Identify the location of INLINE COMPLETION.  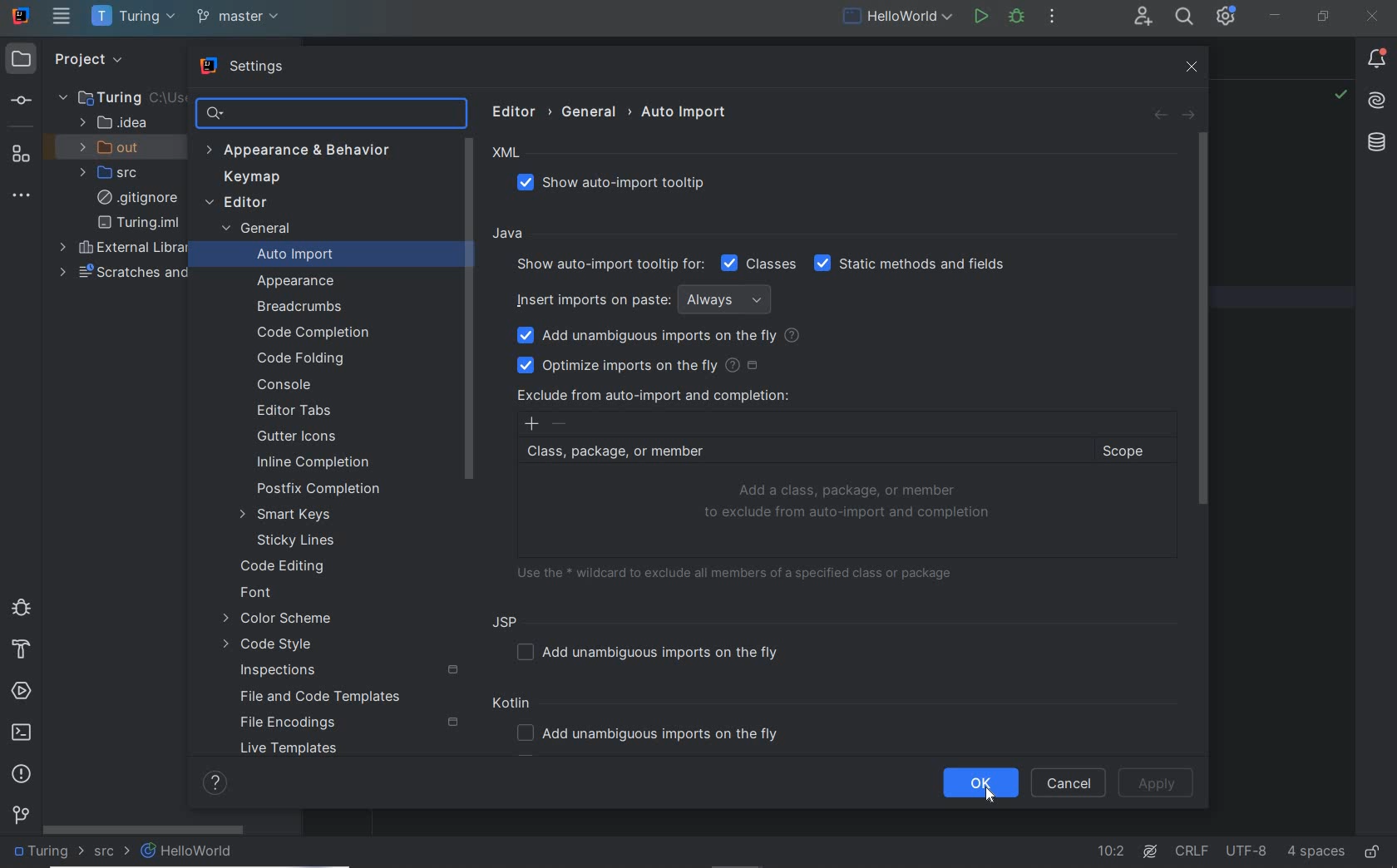
(320, 465).